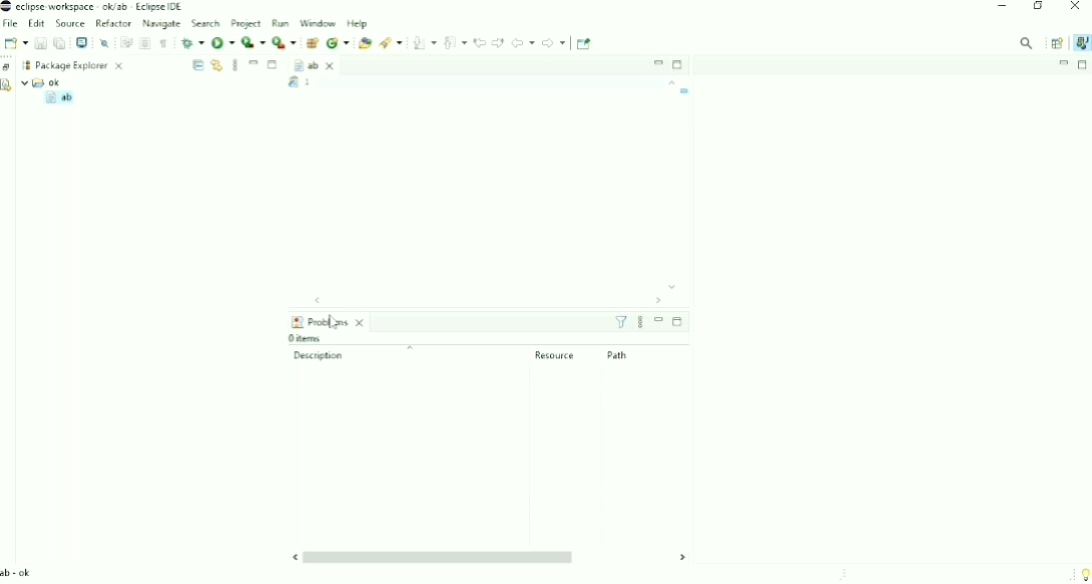 The width and height of the screenshot is (1092, 584). Describe the element at coordinates (311, 43) in the screenshot. I see `New Java Package` at that location.